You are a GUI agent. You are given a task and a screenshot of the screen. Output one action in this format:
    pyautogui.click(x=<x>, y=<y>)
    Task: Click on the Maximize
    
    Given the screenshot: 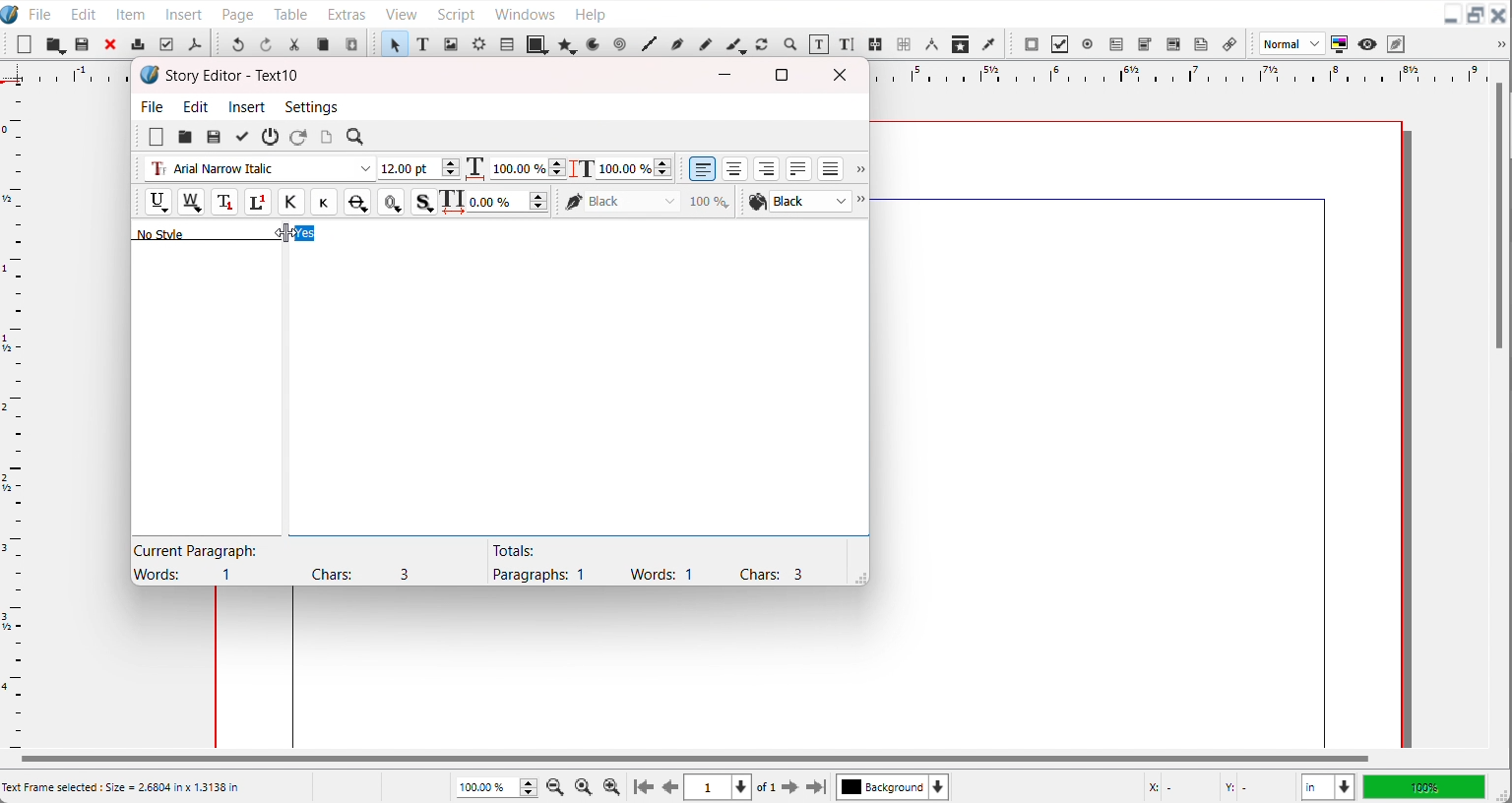 What is the action you would take?
    pyautogui.click(x=1476, y=16)
    